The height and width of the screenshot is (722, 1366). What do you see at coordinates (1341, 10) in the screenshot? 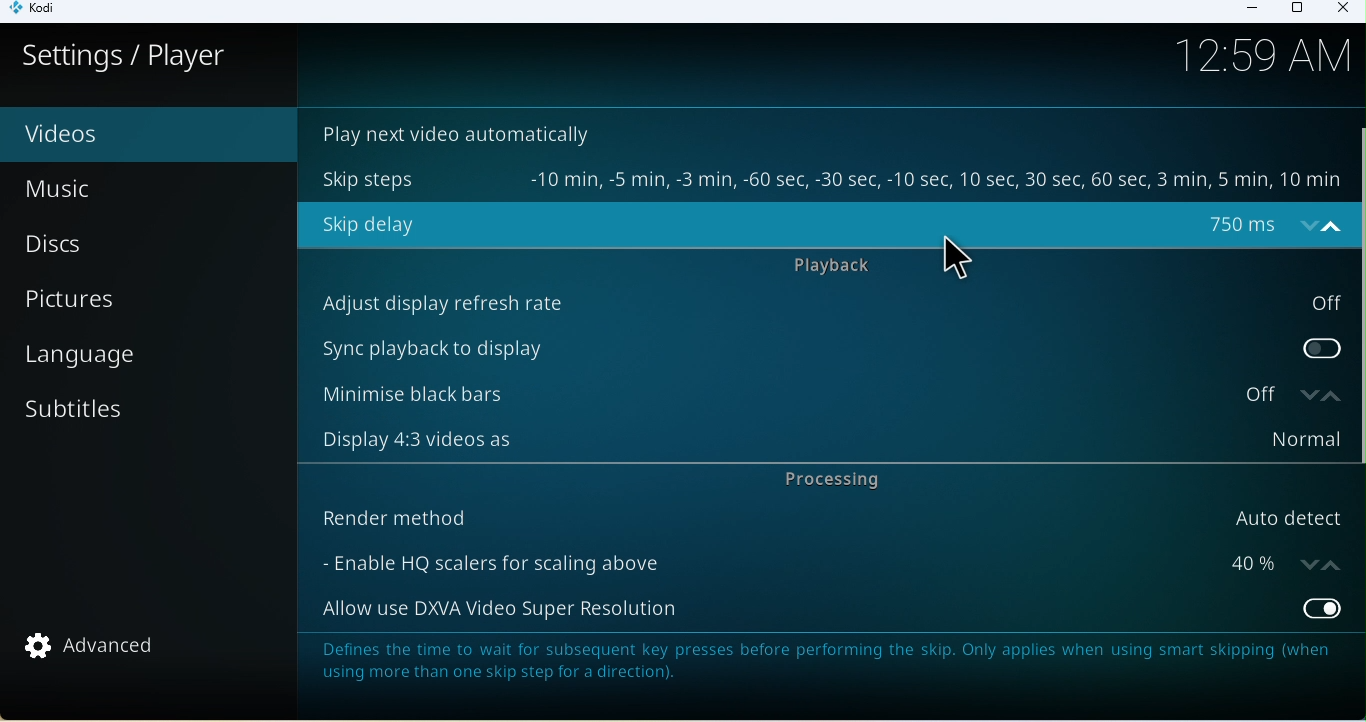
I see `Close` at bounding box center [1341, 10].